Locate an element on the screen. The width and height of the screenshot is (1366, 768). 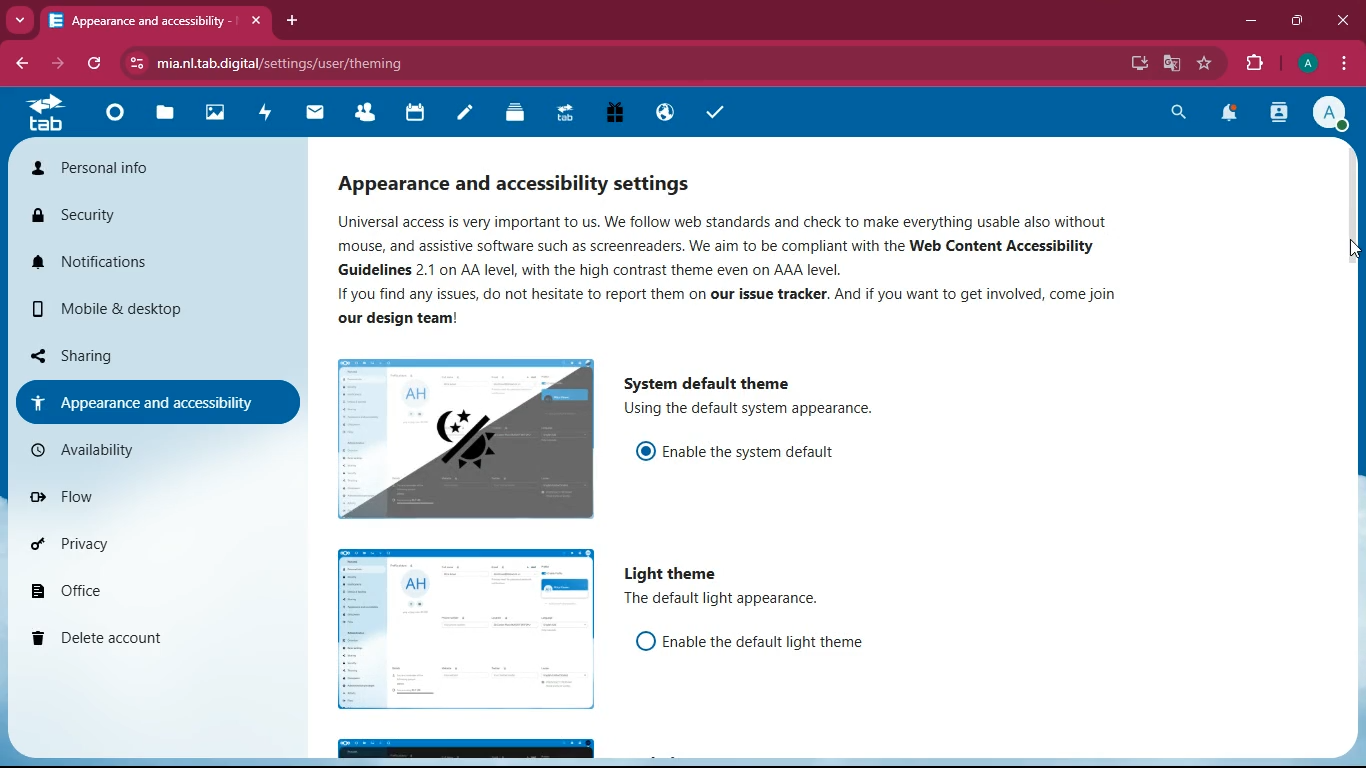
mobile is located at coordinates (144, 304).